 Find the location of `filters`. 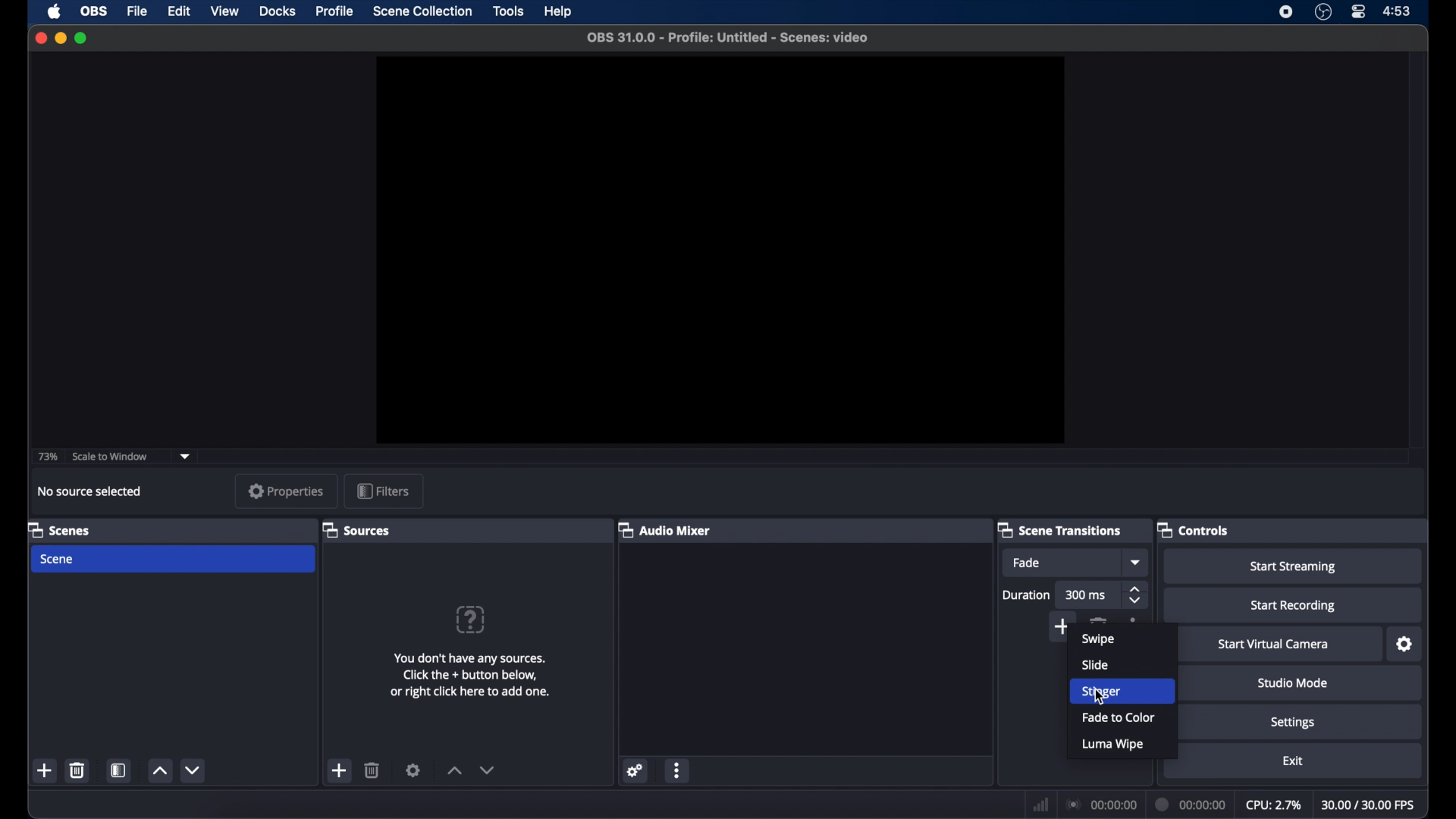

filters is located at coordinates (384, 491).